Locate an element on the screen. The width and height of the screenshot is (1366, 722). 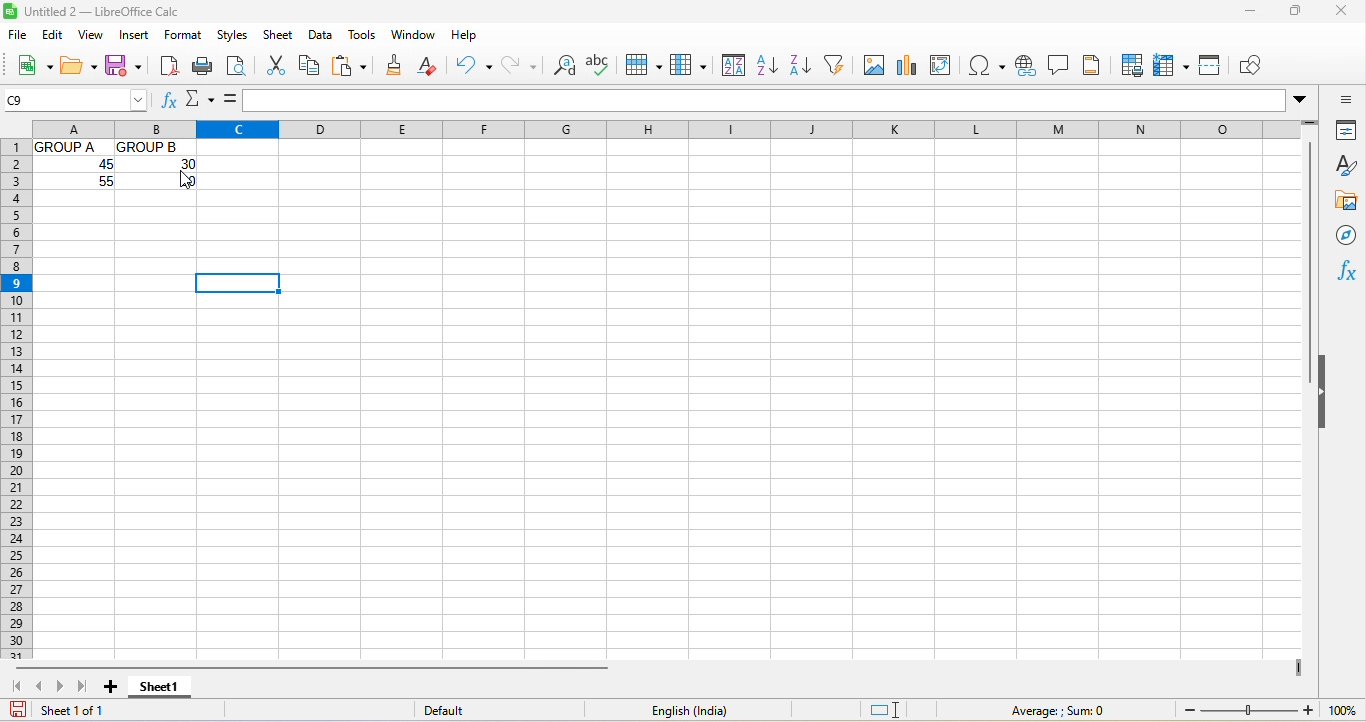
paste is located at coordinates (353, 67).